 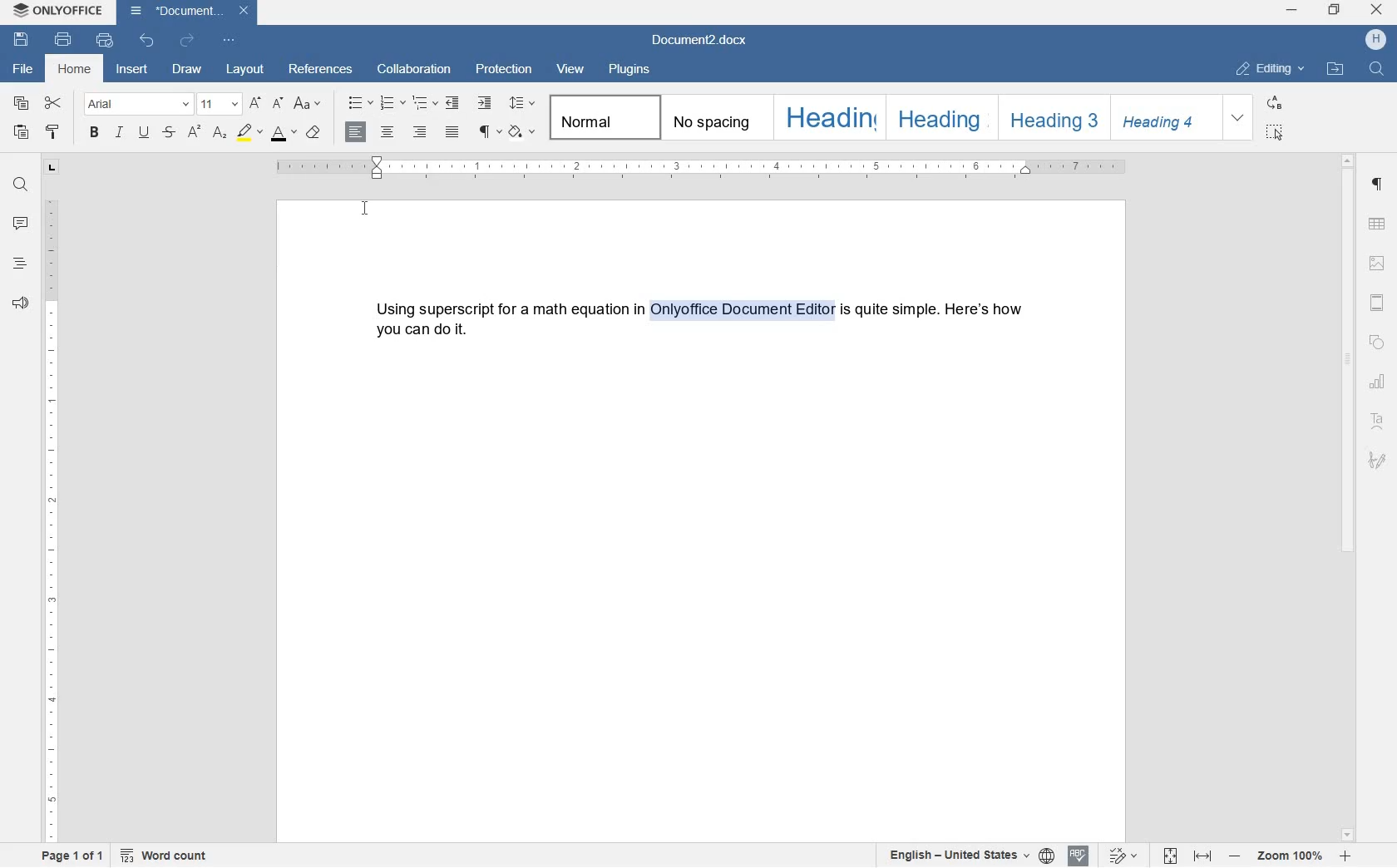 I want to click on shape, so click(x=1376, y=344).